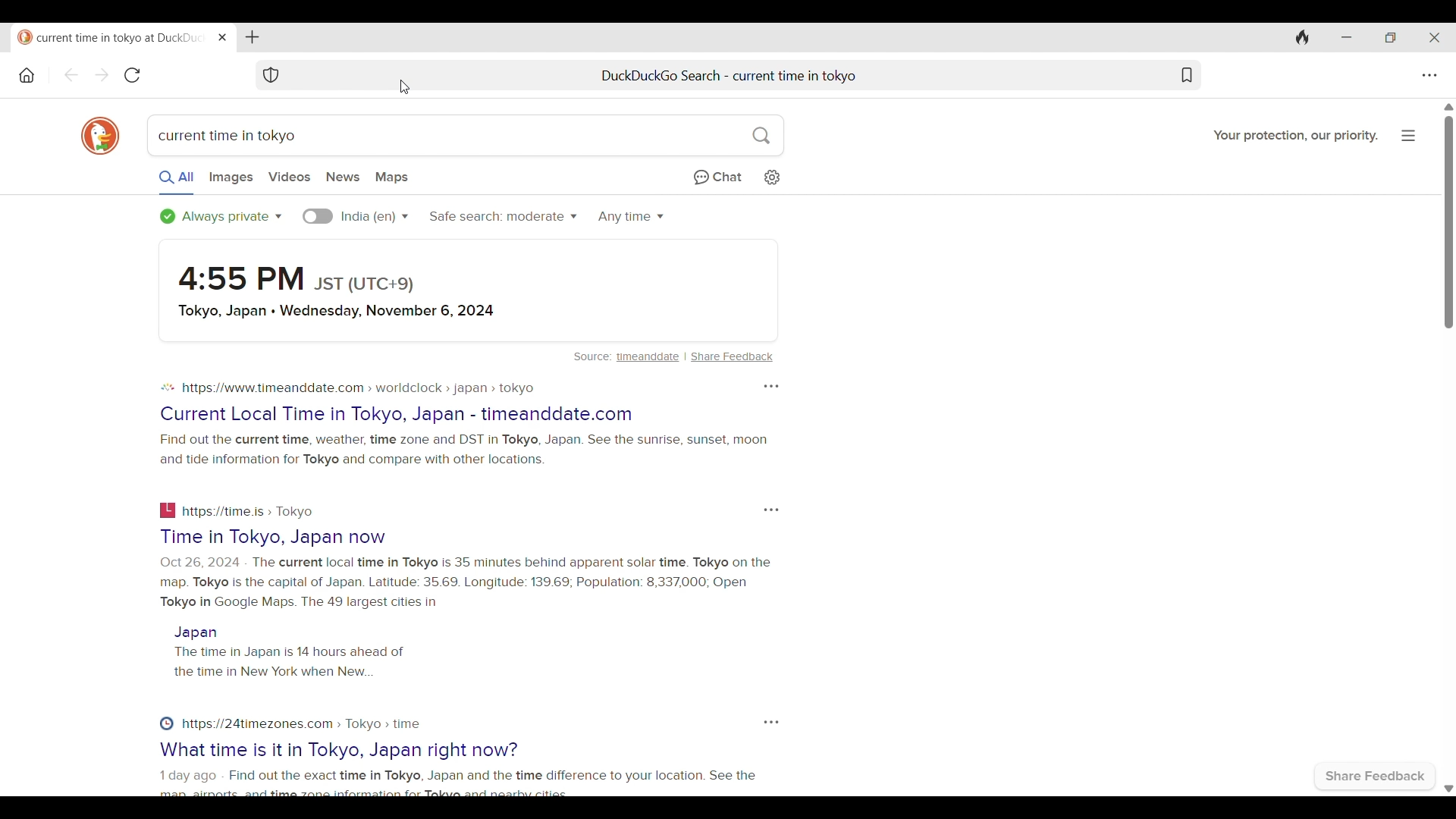 The image size is (1456, 819). I want to click on Show interface in a smaller tab, so click(1391, 38).